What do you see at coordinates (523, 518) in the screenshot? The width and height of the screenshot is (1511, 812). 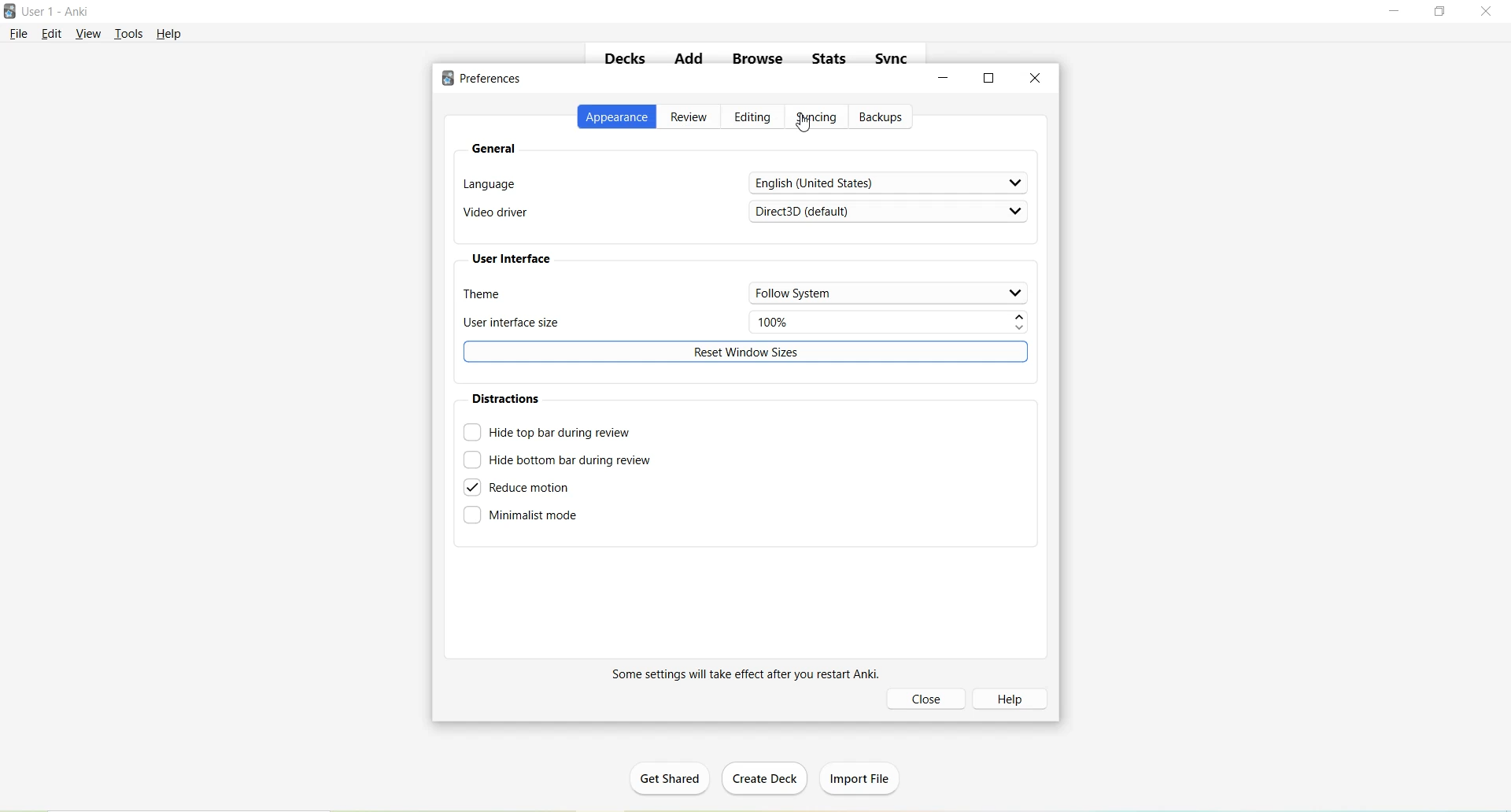 I see `Minimalist mode` at bounding box center [523, 518].